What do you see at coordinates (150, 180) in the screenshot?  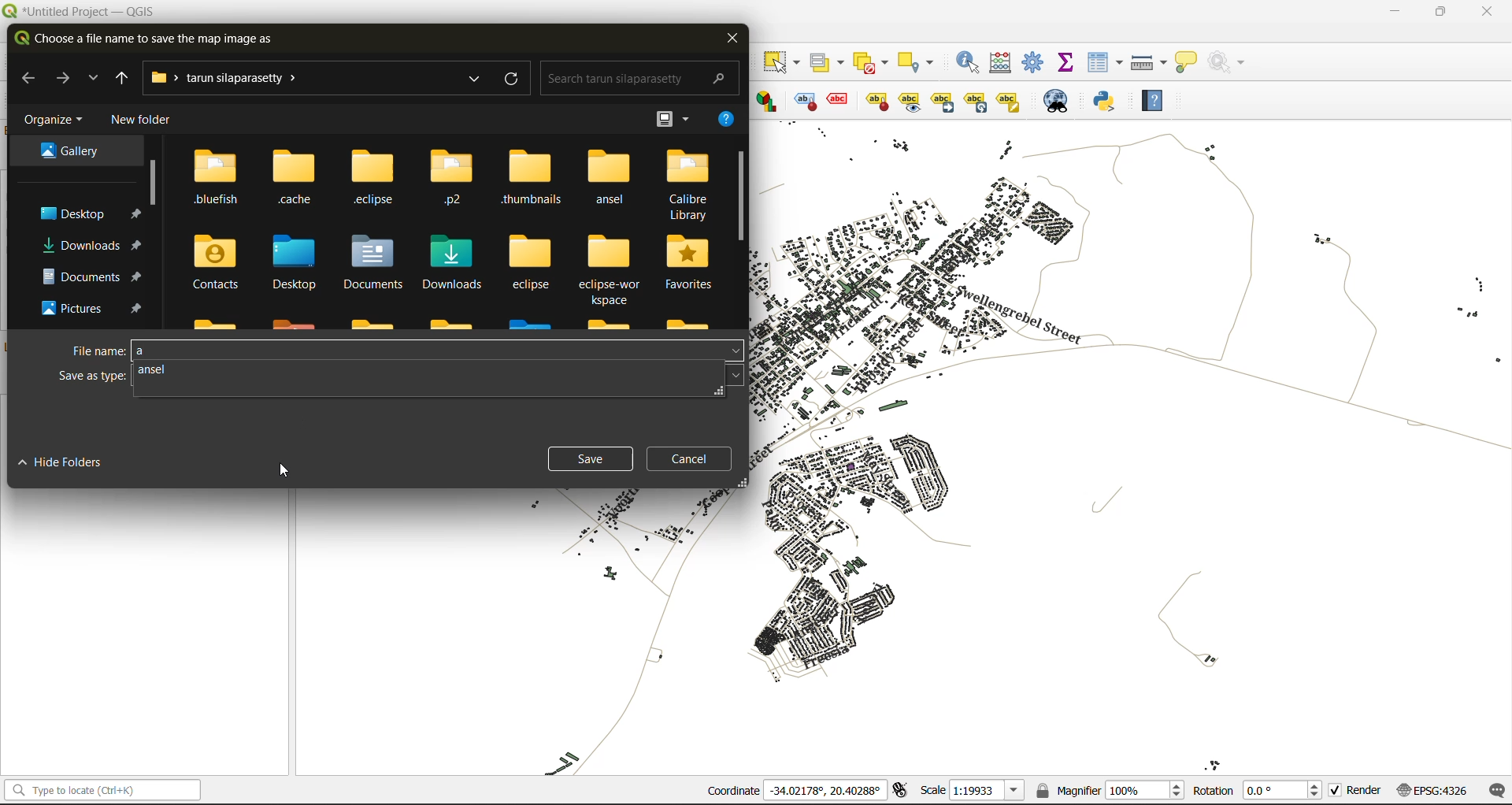 I see `vertical scroll bar` at bounding box center [150, 180].